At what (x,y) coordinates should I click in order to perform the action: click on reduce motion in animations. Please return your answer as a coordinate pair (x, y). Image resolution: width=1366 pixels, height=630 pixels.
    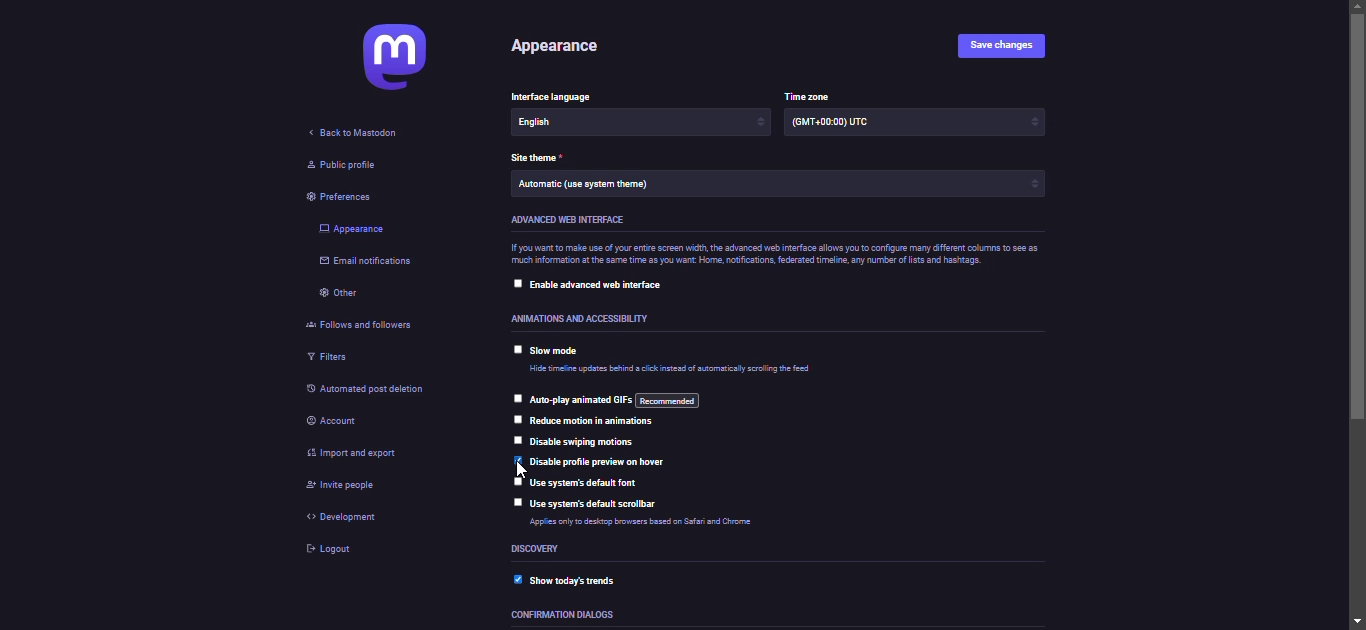
    Looking at the image, I should click on (597, 422).